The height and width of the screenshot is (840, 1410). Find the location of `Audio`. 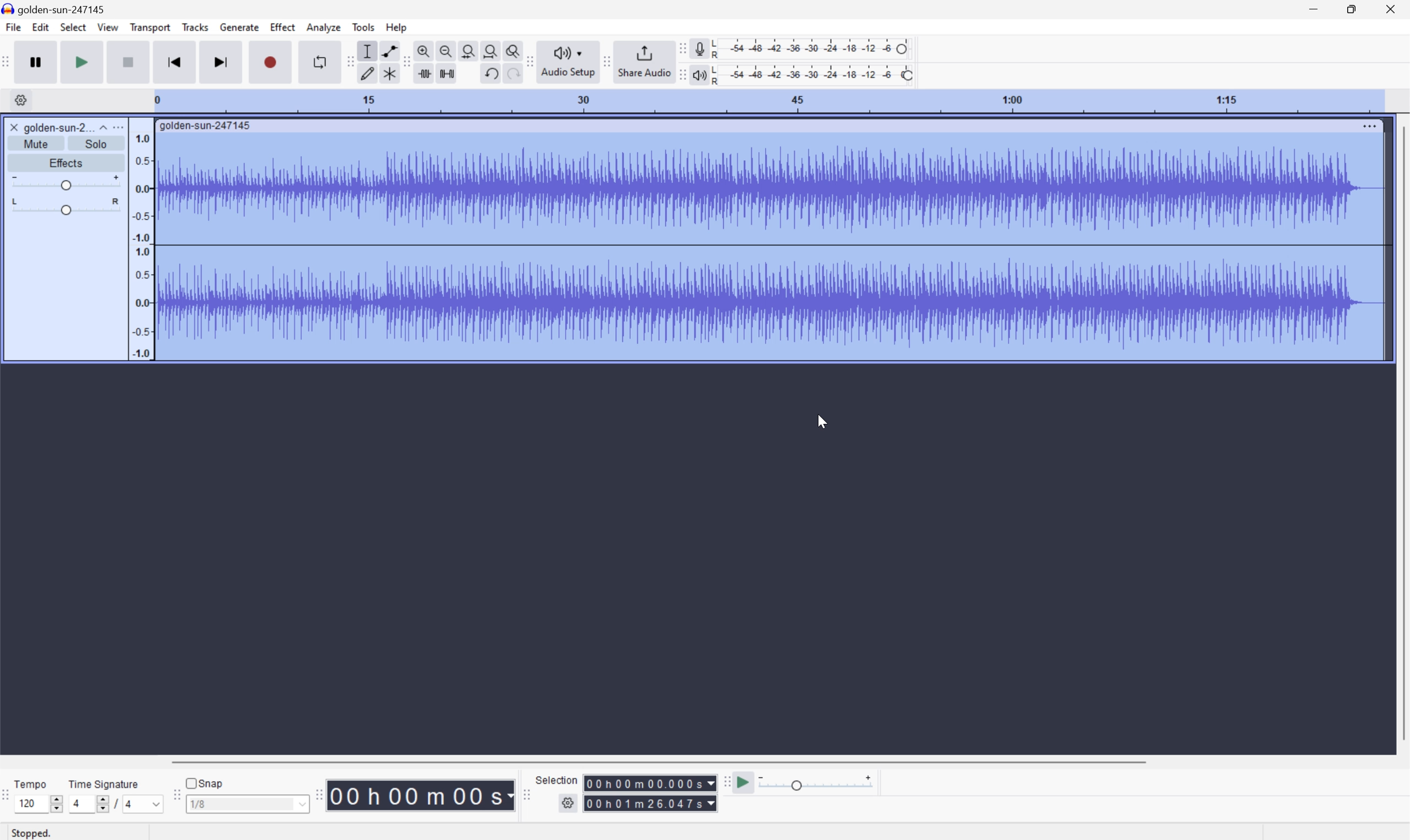

Audio is located at coordinates (770, 247).